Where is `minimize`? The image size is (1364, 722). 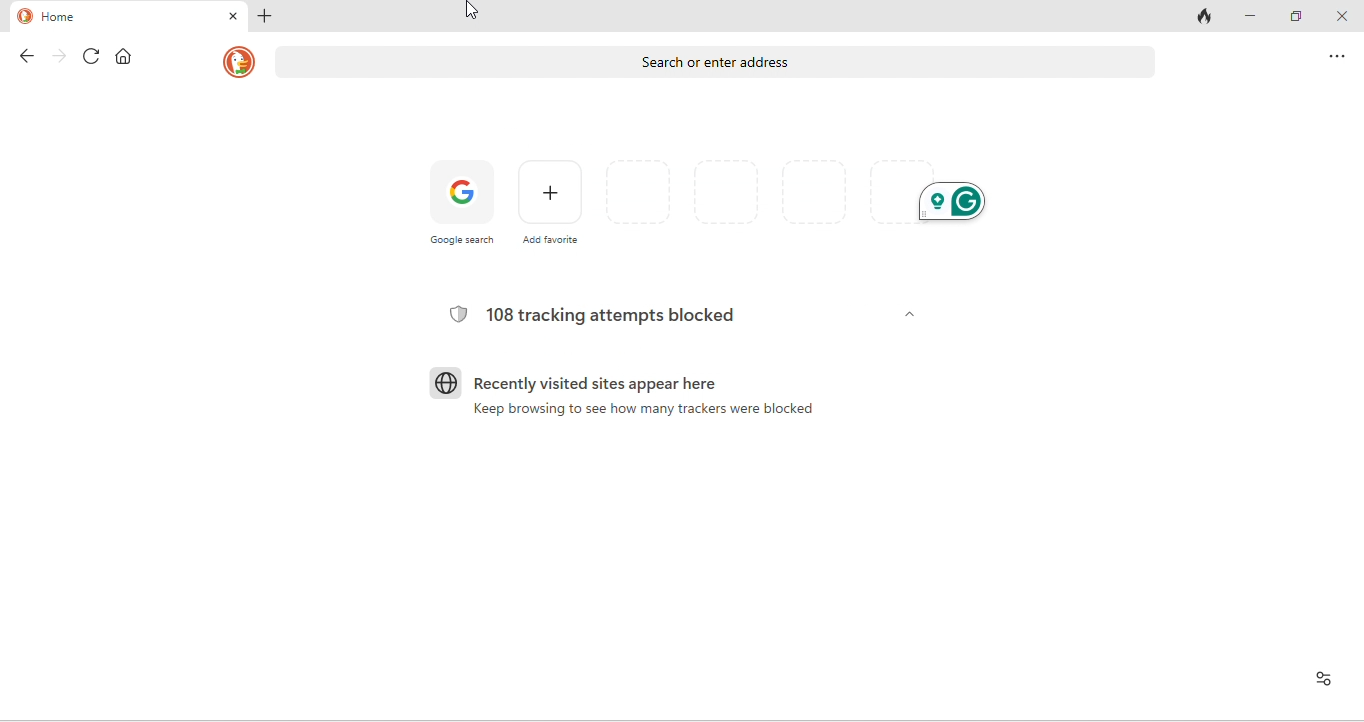 minimize is located at coordinates (1248, 16).